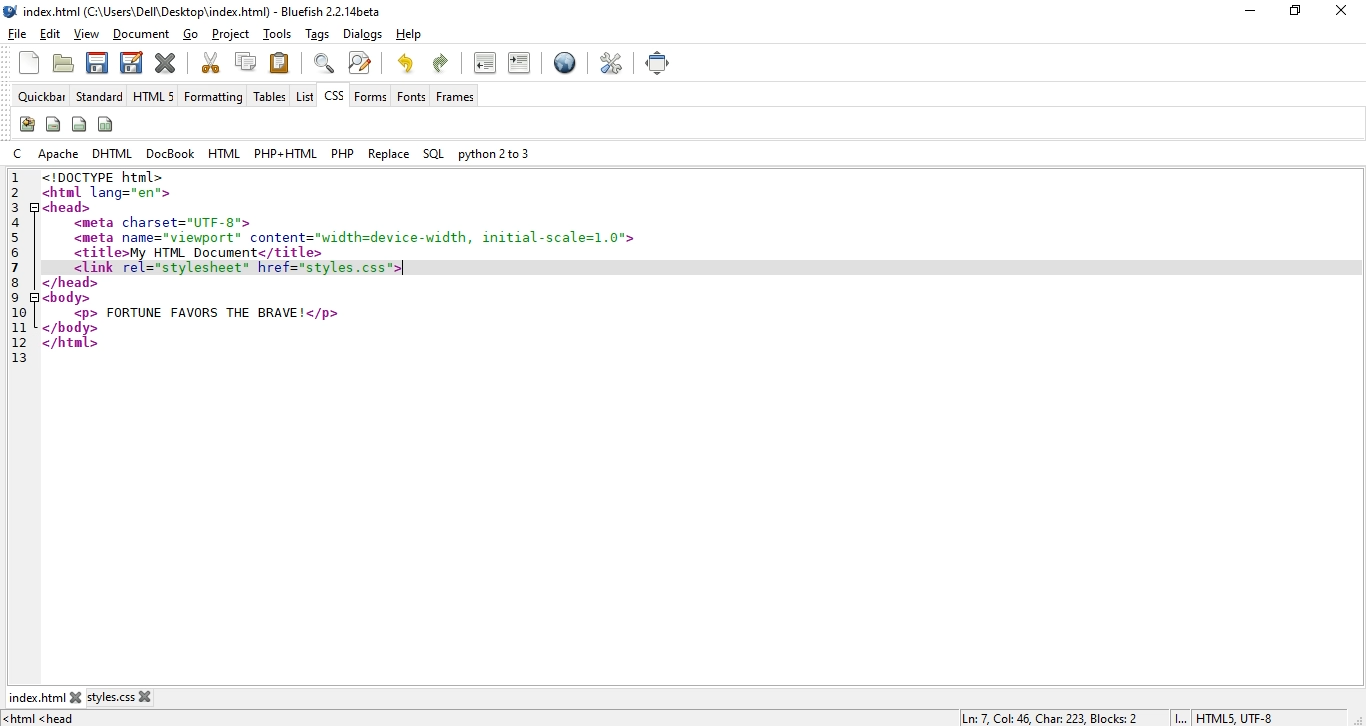 This screenshot has height=726, width=1366. What do you see at coordinates (72, 343) in the screenshot?
I see `</html>` at bounding box center [72, 343].